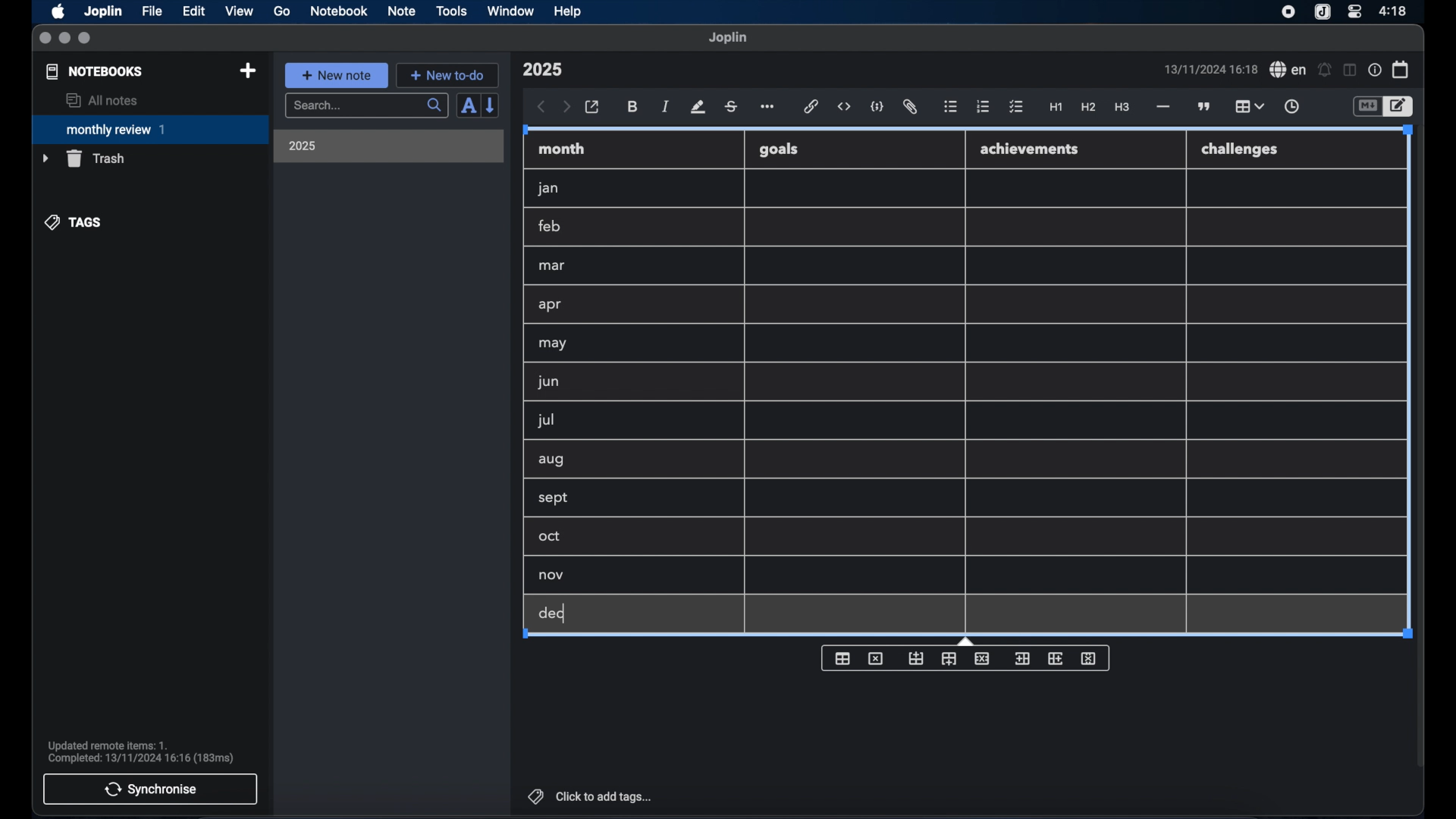 The height and width of the screenshot is (819, 1456). Describe the element at coordinates (551, 461) in the screenshot. I see `aug` at that location.